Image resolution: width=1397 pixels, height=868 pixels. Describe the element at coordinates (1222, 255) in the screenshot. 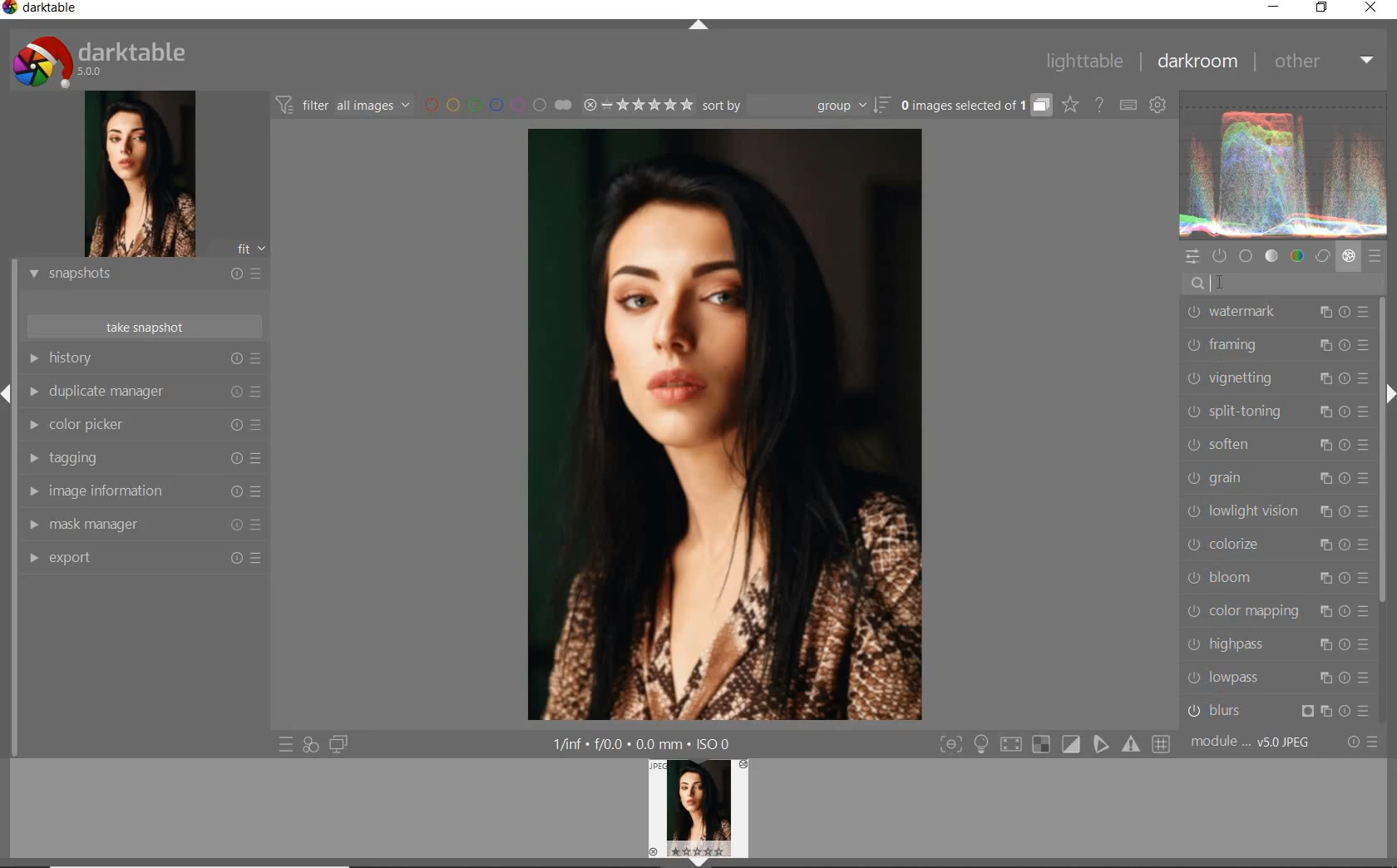

I see `show only active modules` at that location.